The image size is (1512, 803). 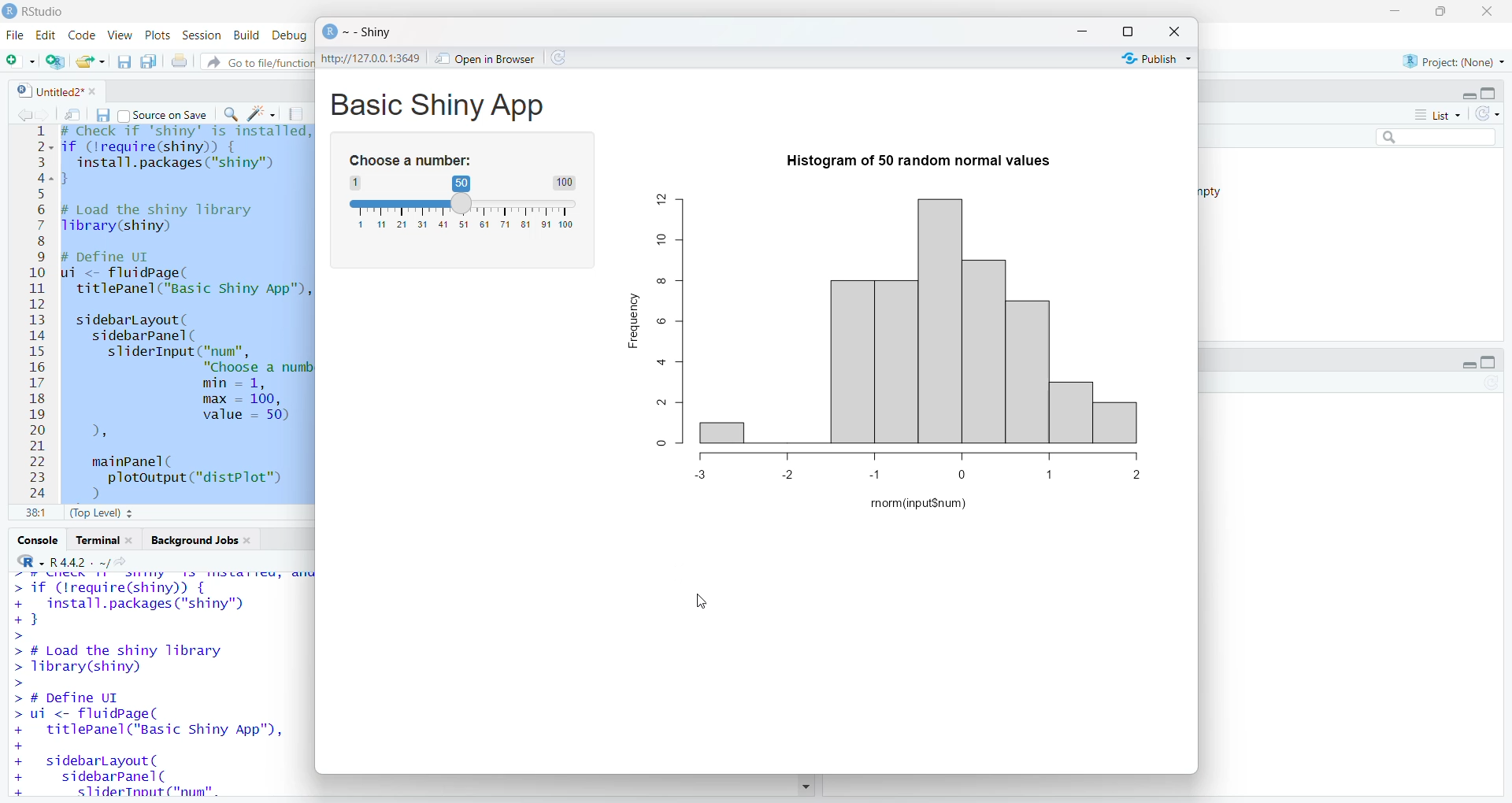 What do you see at coordinates (262, 113) in the screenshot?
I see `code tools` at bounding box center [262, 113].